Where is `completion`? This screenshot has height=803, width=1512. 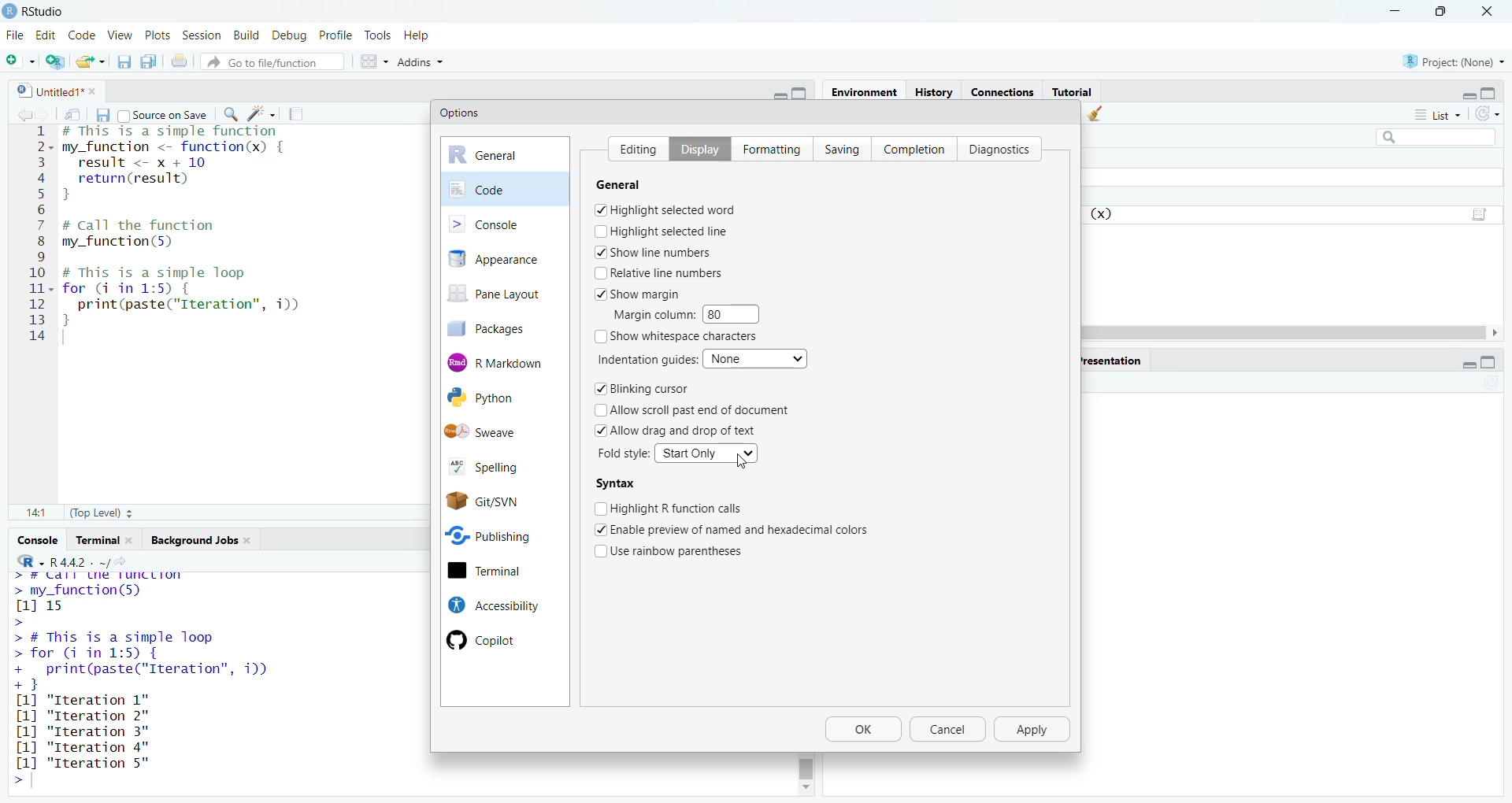 completion is located at coordinates (913, 147).